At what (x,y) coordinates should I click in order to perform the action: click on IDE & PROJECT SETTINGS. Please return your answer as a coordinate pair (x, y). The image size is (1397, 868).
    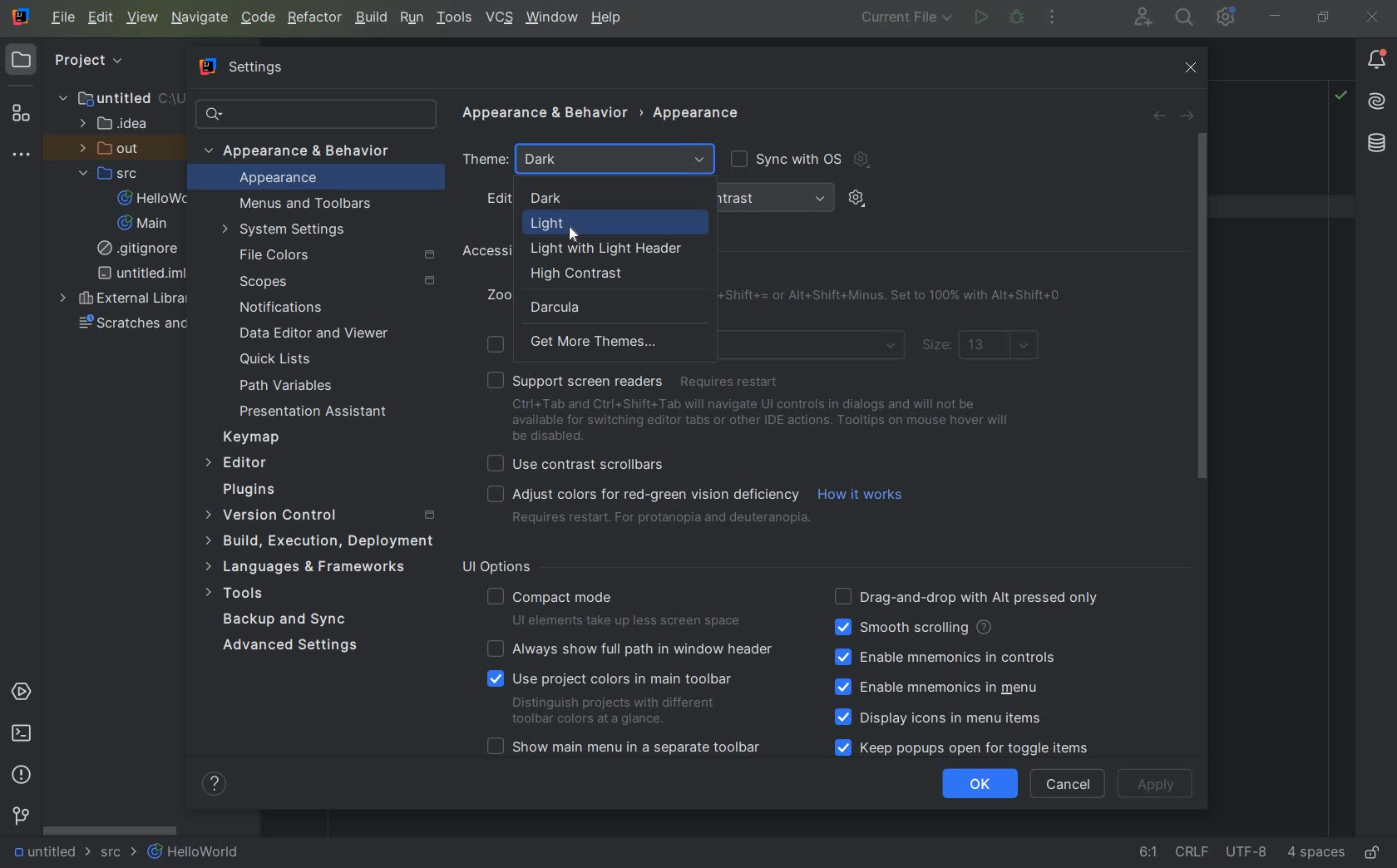
    Looking at the image, I should click on (1225, 17).